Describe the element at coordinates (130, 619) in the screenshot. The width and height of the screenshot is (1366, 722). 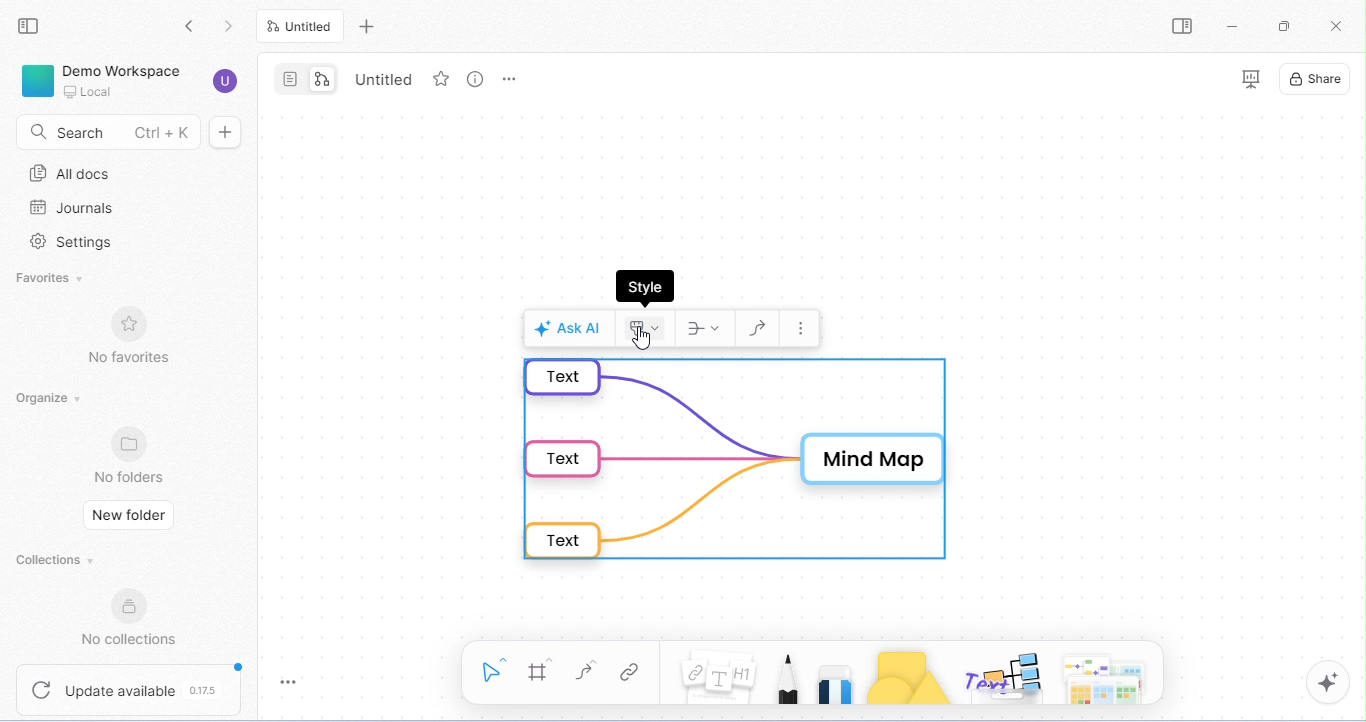
I see `no collections` at that location.